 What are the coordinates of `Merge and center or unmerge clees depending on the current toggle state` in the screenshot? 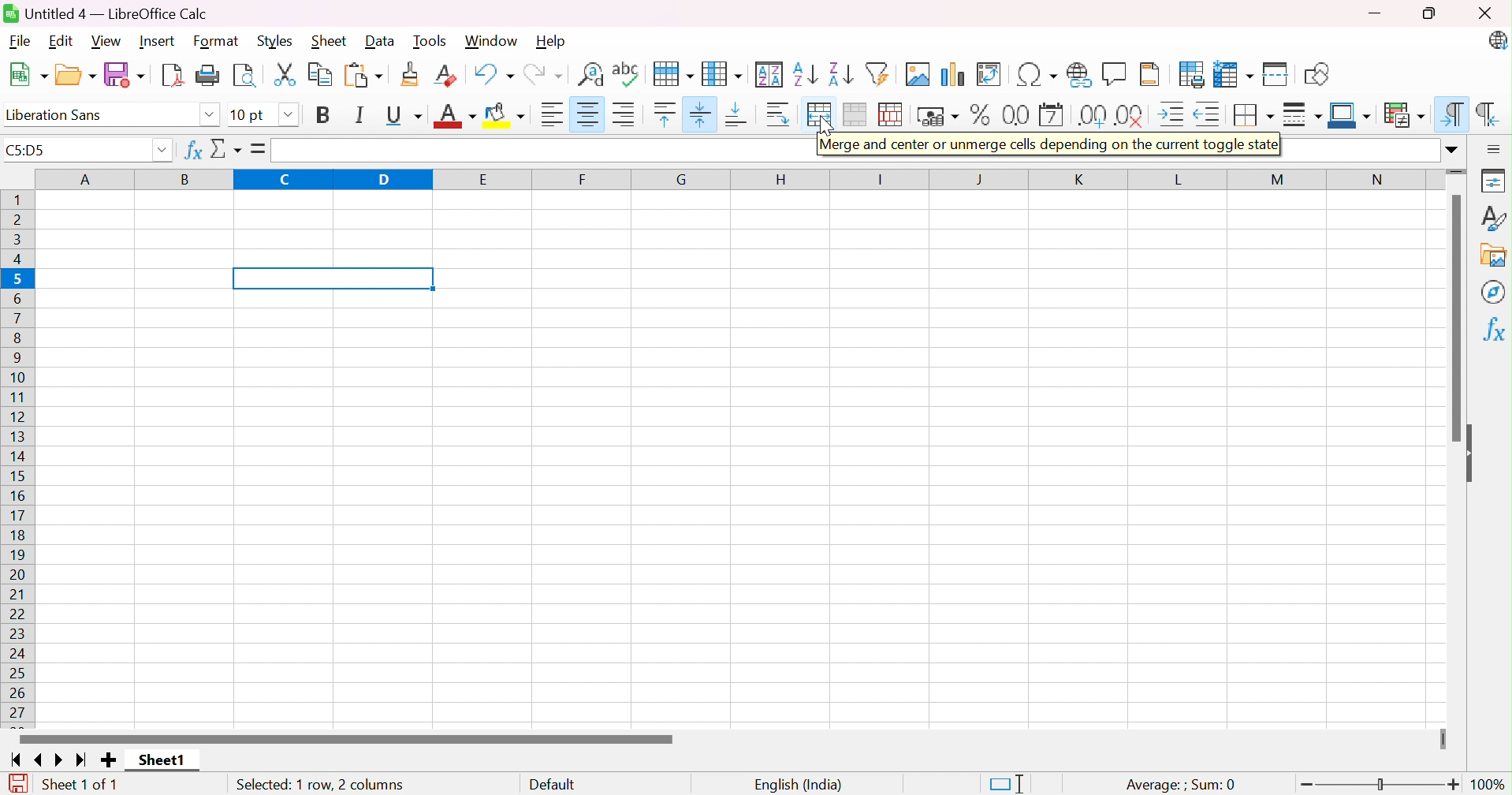 It's located at (1052, 146).